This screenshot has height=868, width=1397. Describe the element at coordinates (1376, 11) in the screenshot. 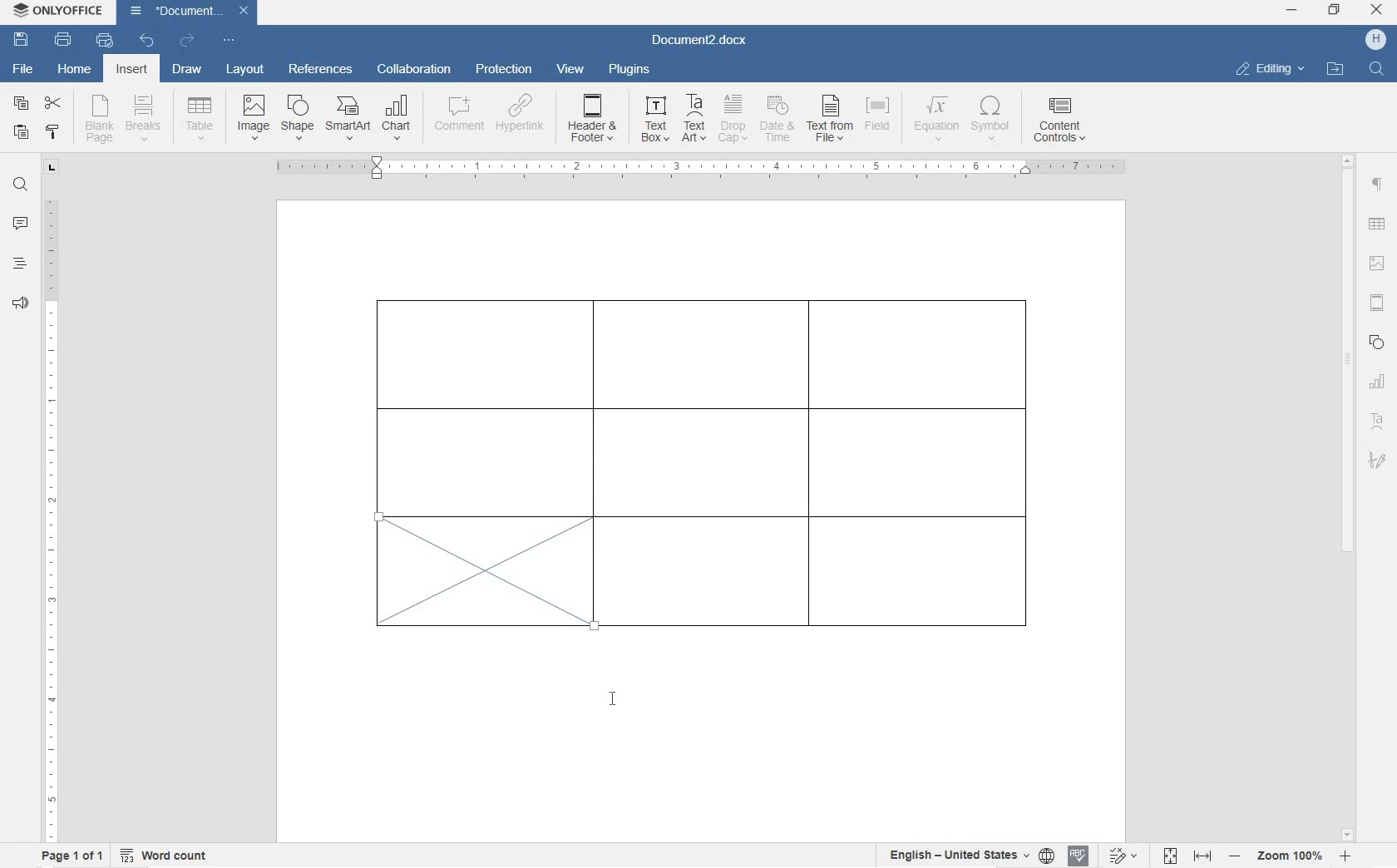

I see `close` at that location.